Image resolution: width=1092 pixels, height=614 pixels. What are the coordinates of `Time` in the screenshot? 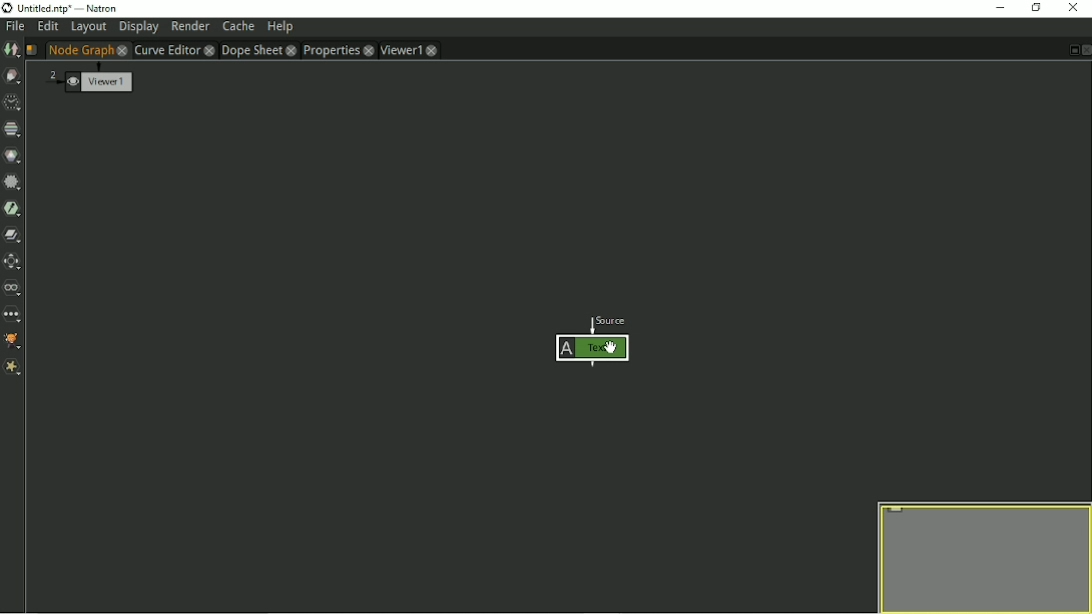 It's located at (12, 103).